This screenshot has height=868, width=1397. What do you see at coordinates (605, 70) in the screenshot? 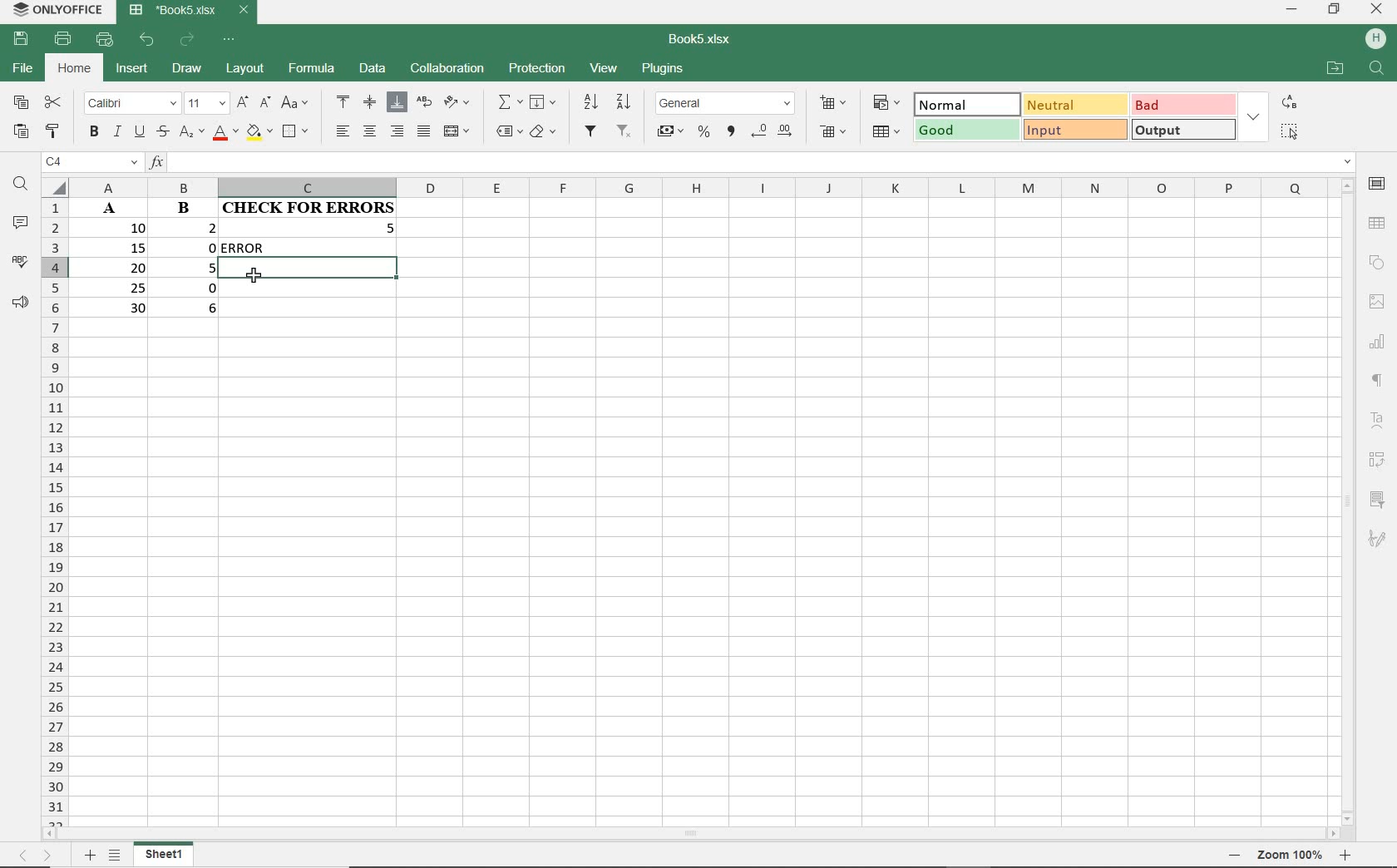
I see `VIEW` at bounding box center [605, 70].